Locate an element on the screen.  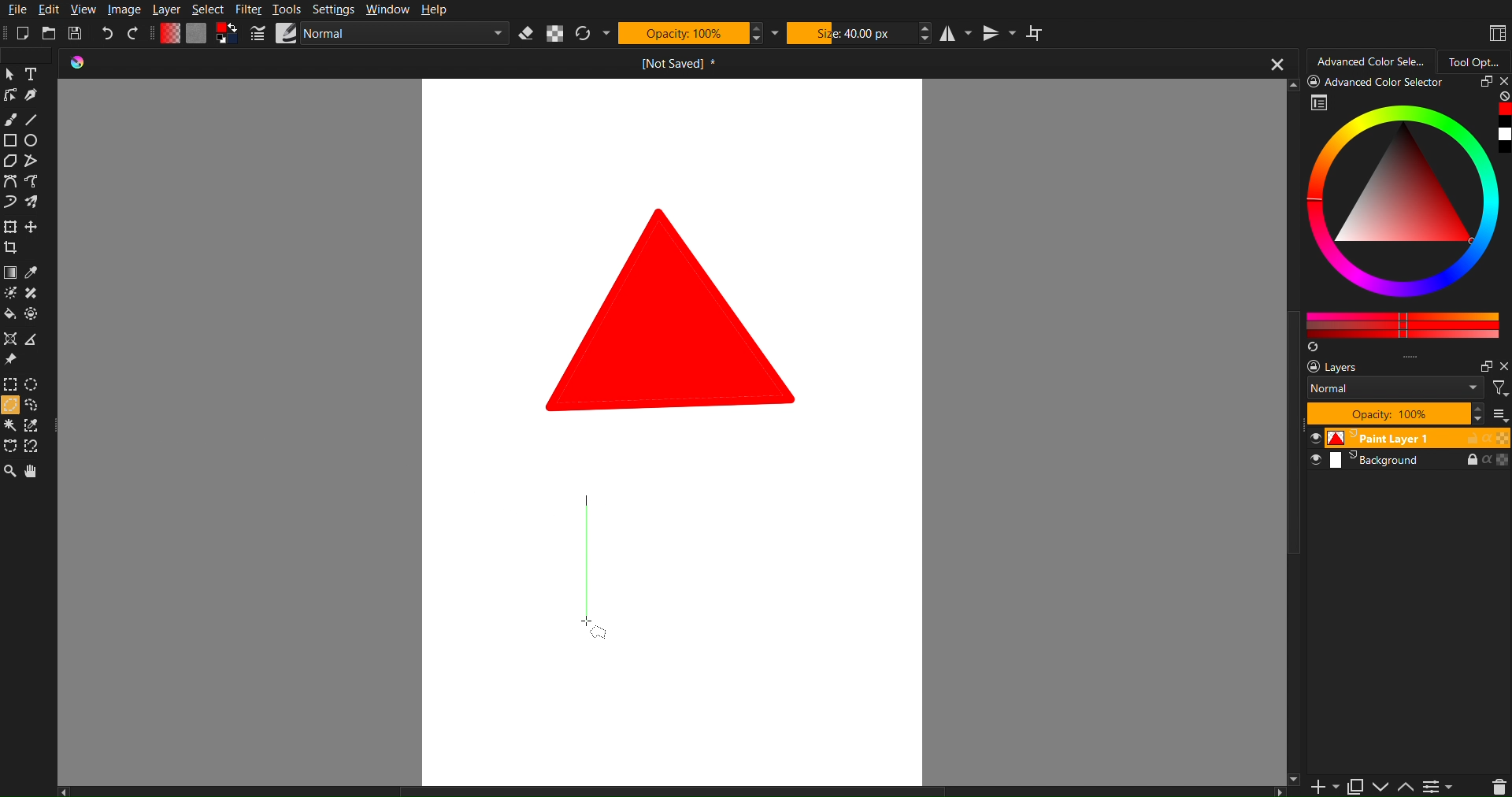
Settings is located at coordinates (338, 10).